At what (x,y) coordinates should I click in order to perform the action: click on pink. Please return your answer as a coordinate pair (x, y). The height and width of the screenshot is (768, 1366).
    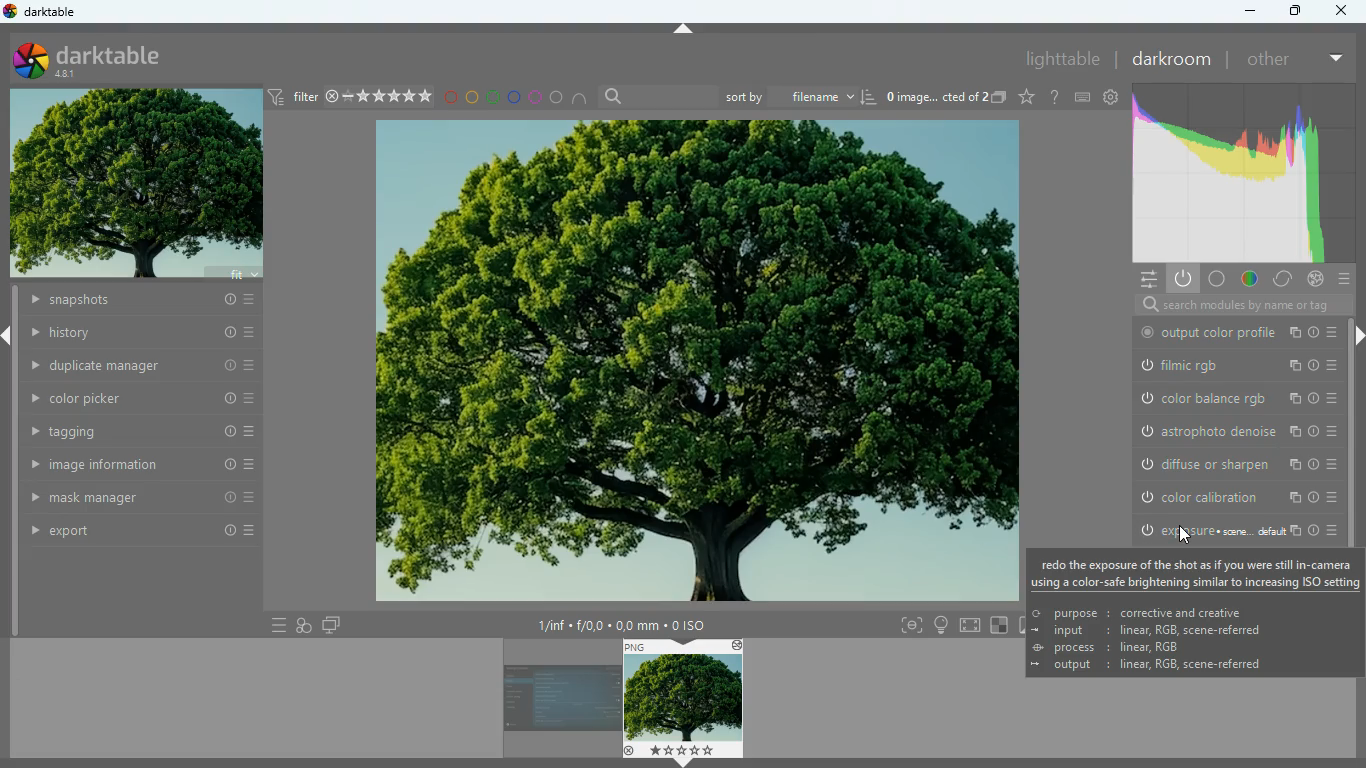
    Looking at the image, I should click on (534, 98).